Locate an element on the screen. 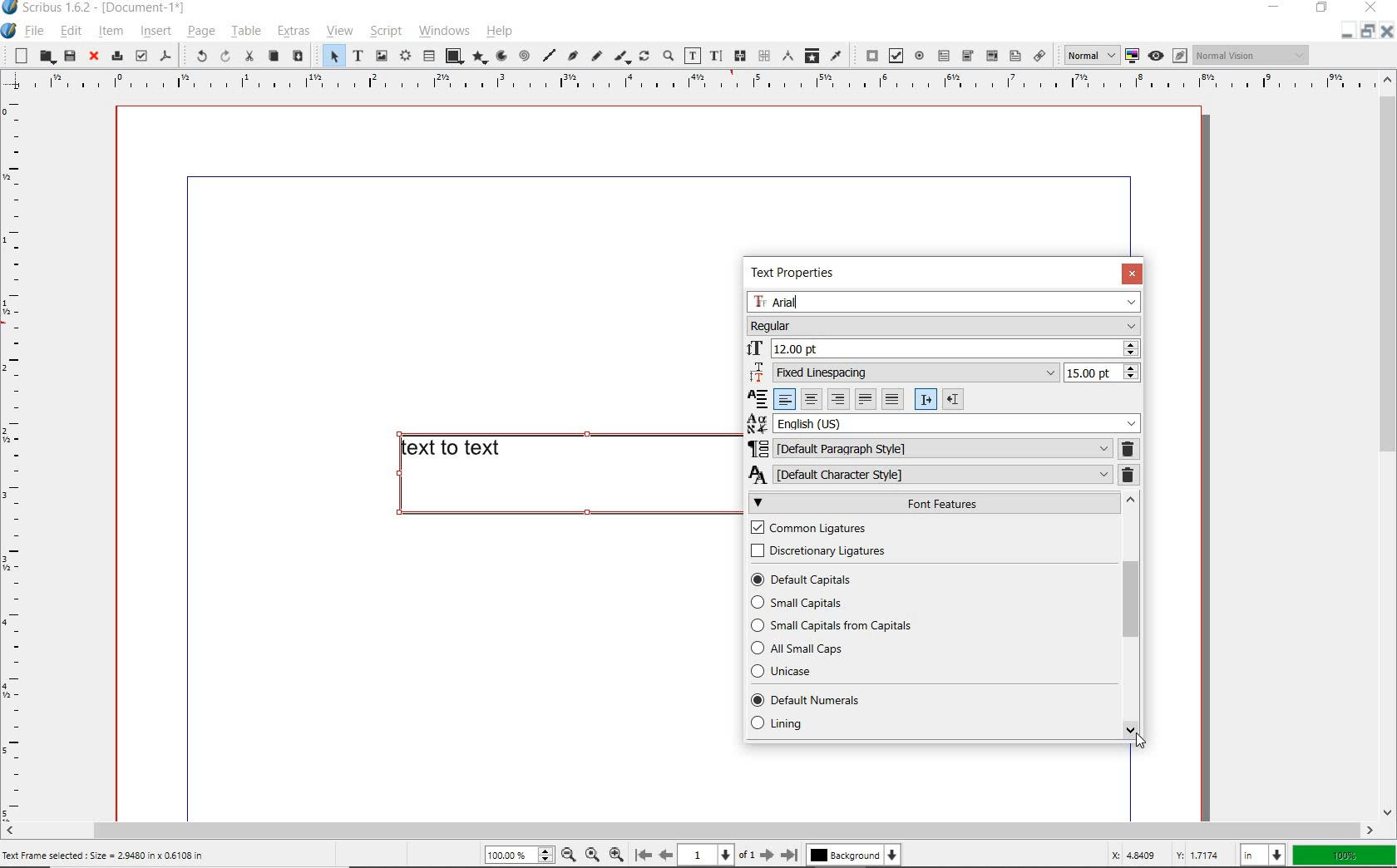 The height and width of the screenshot is (868, 1397). Zoom to 100% is located at coordinates (590, 854).